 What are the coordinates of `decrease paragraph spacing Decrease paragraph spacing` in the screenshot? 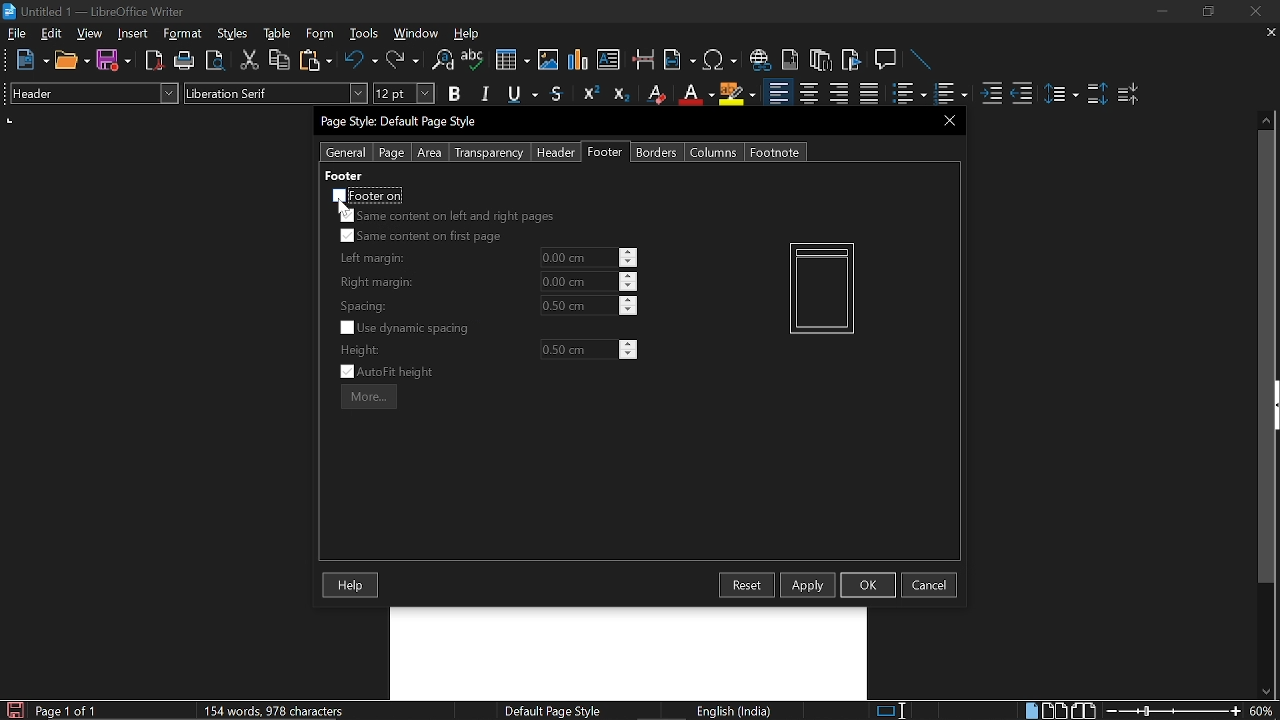 It's located at (1130, 93).